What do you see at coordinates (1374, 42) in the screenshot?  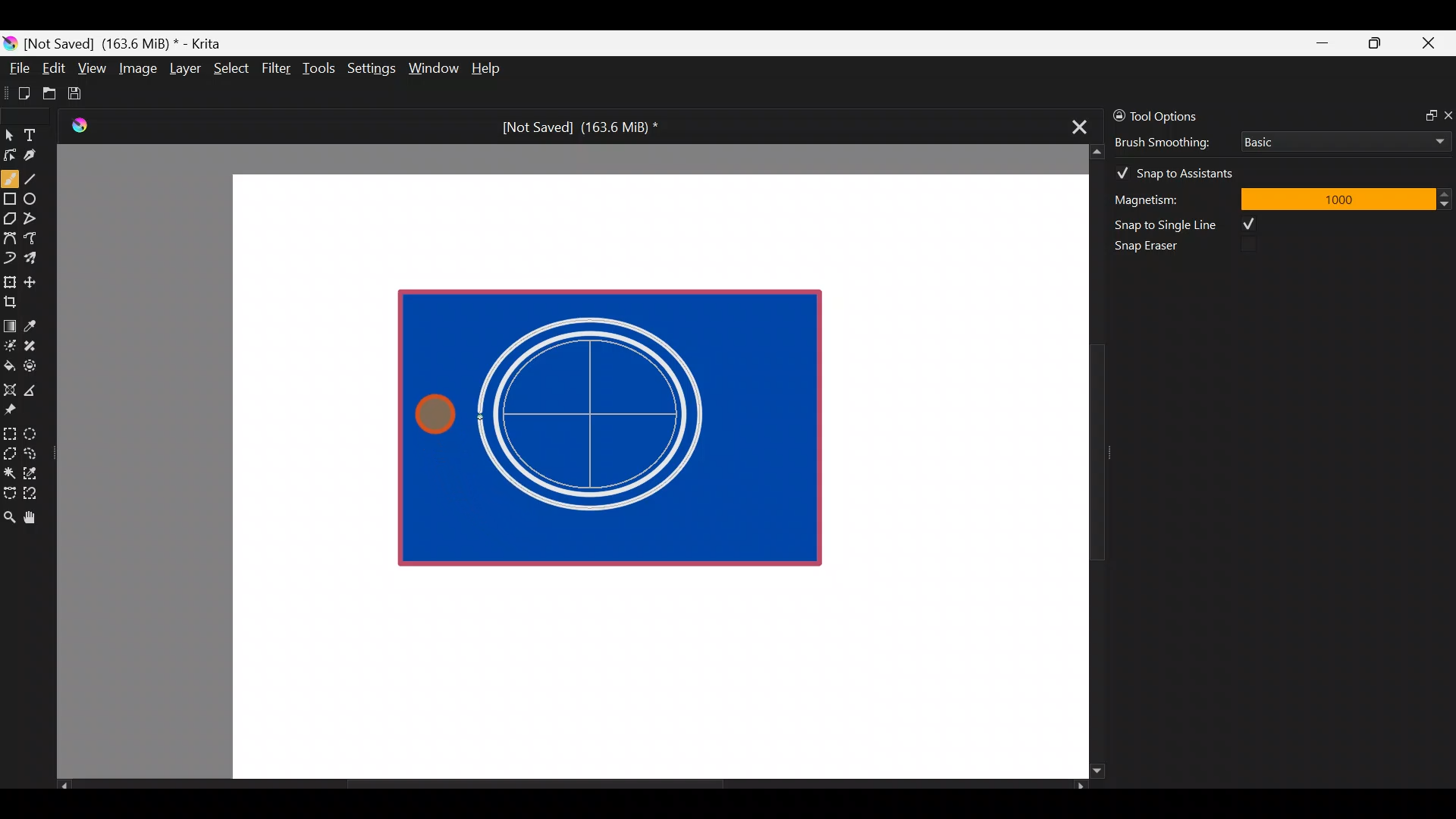 I see `Maximize` at bounding box center [1374, 42].